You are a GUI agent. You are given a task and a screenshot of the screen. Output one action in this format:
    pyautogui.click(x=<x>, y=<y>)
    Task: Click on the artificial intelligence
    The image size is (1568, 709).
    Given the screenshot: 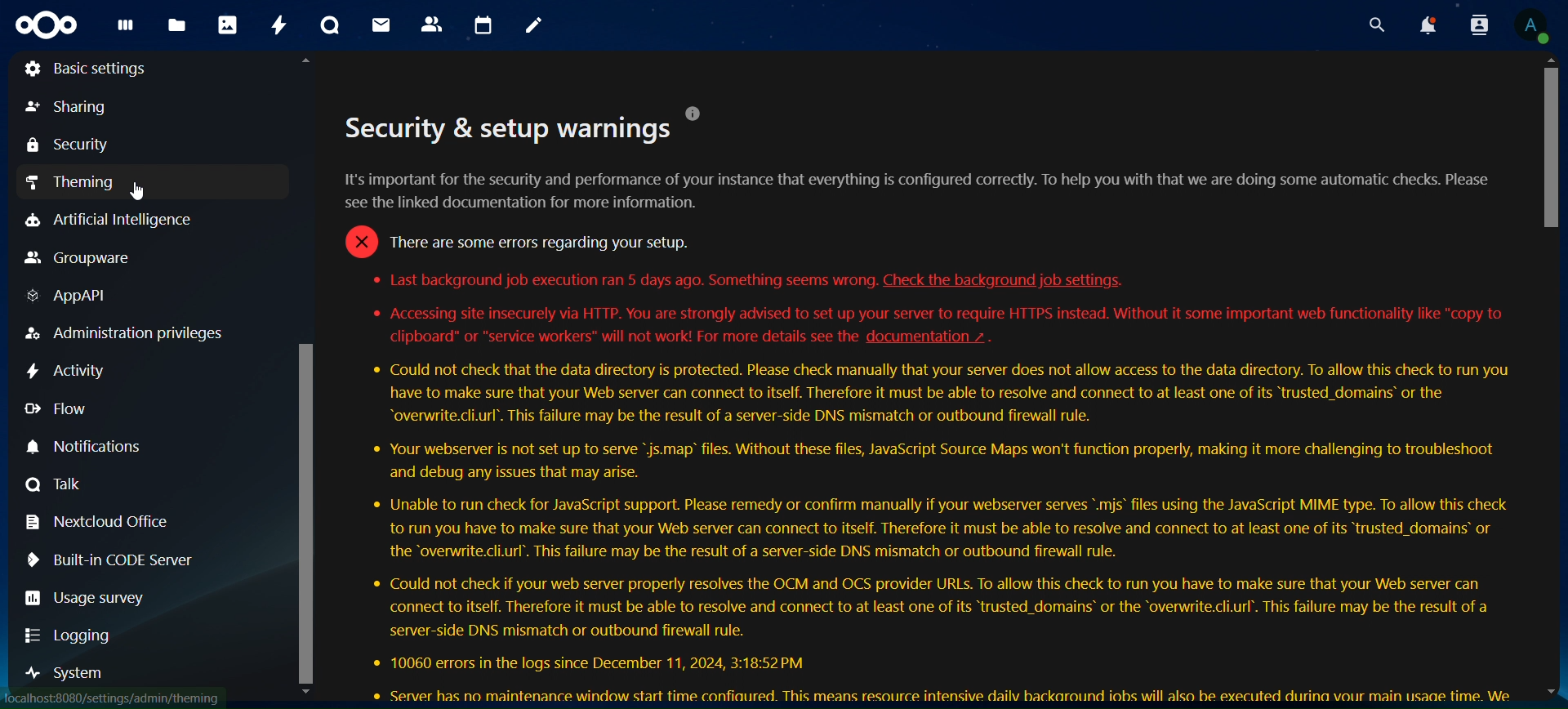 What is the action you would take?
    pyautogui.click(x=124, y=219)
    